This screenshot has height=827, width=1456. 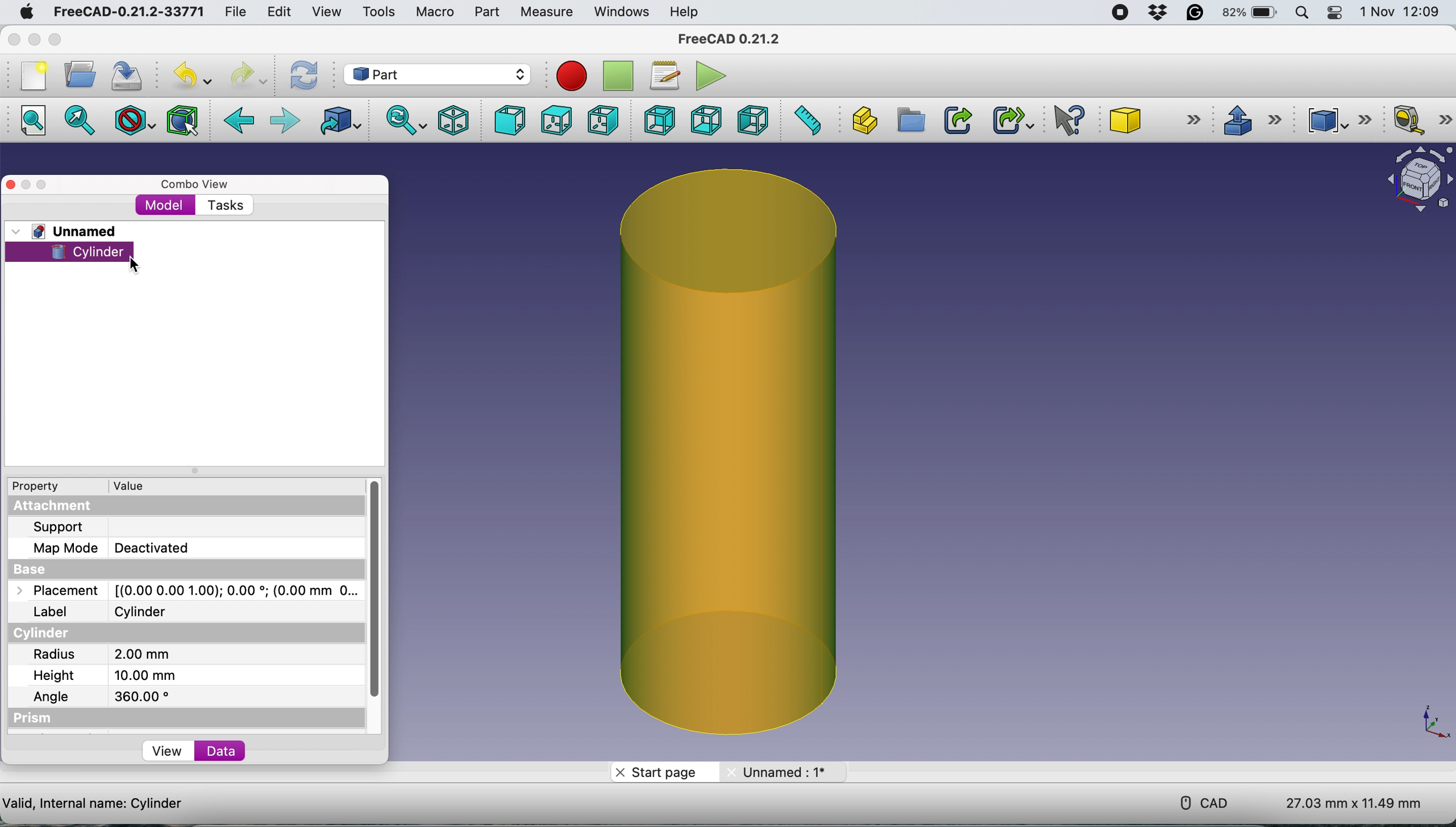 I want to click on cylinder, so click(x=722, y=453).